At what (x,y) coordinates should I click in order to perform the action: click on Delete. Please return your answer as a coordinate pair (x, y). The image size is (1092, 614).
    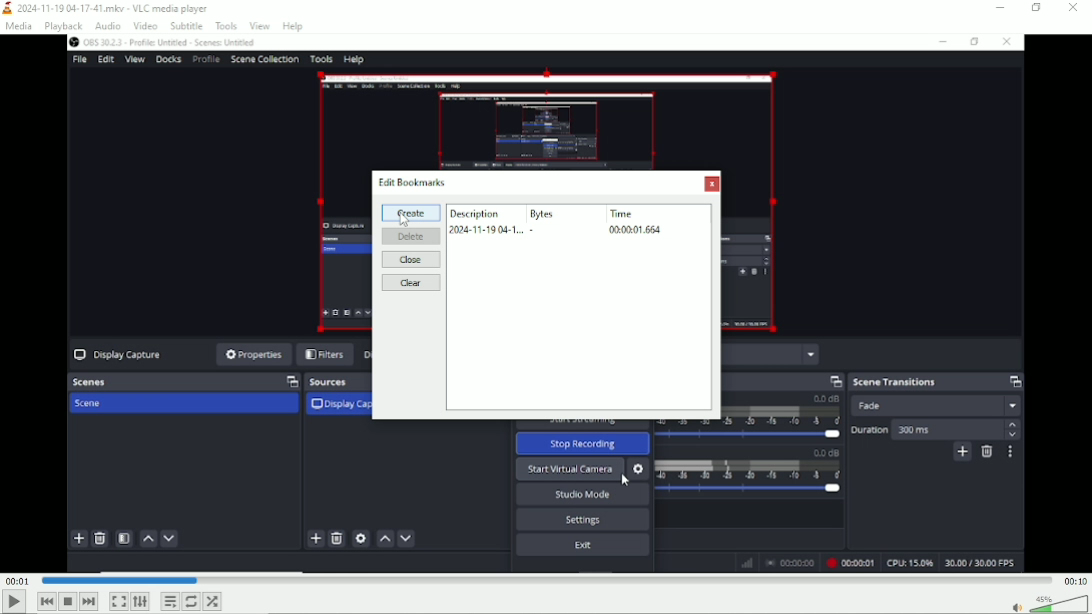
    Looking at the image, I should click on (412, 236).